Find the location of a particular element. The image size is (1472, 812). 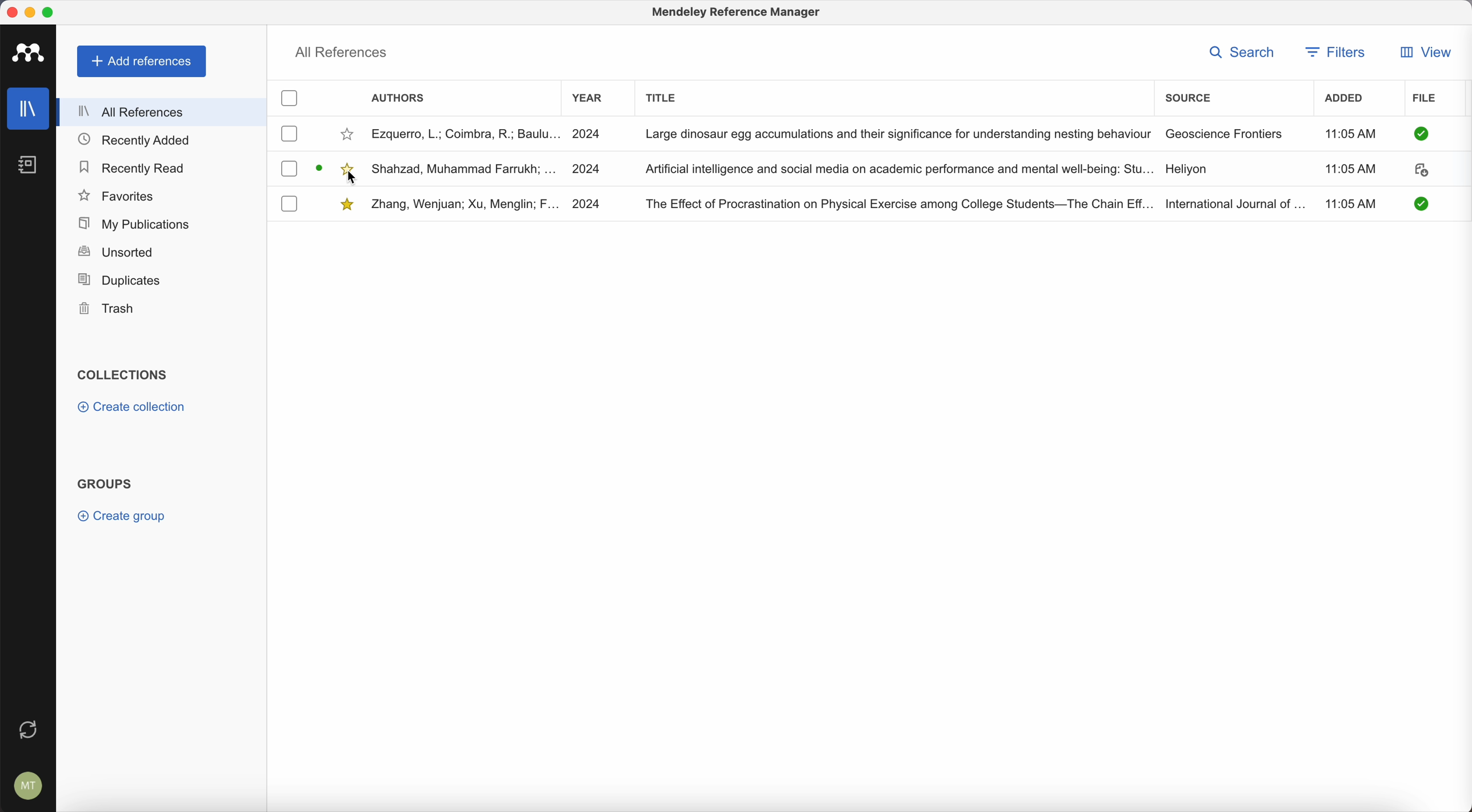

Shahzad, Muhammad Farrukh;... is located at coordinates (466, 168).